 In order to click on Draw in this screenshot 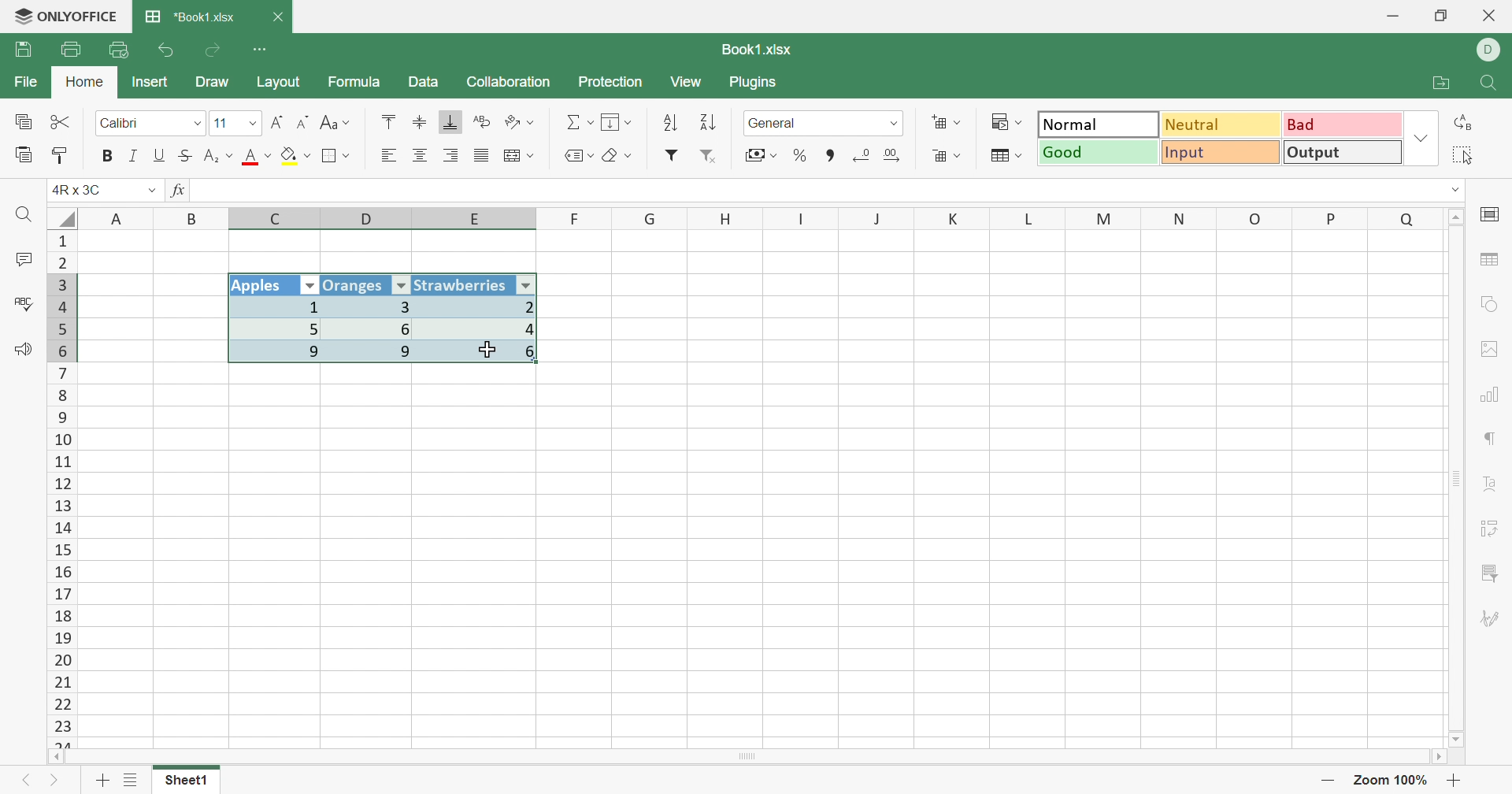, I will do `click(218, 83)`.